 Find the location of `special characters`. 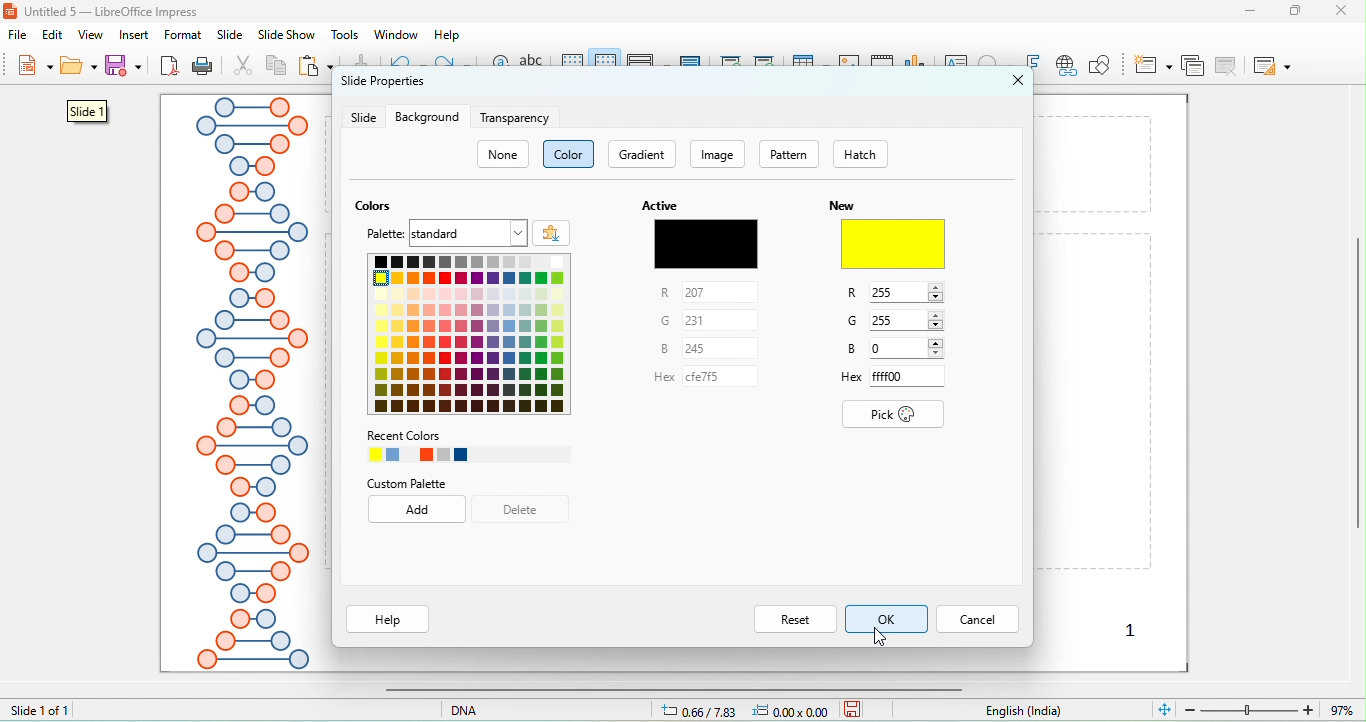

special characters is located at coordinates (998, 63).